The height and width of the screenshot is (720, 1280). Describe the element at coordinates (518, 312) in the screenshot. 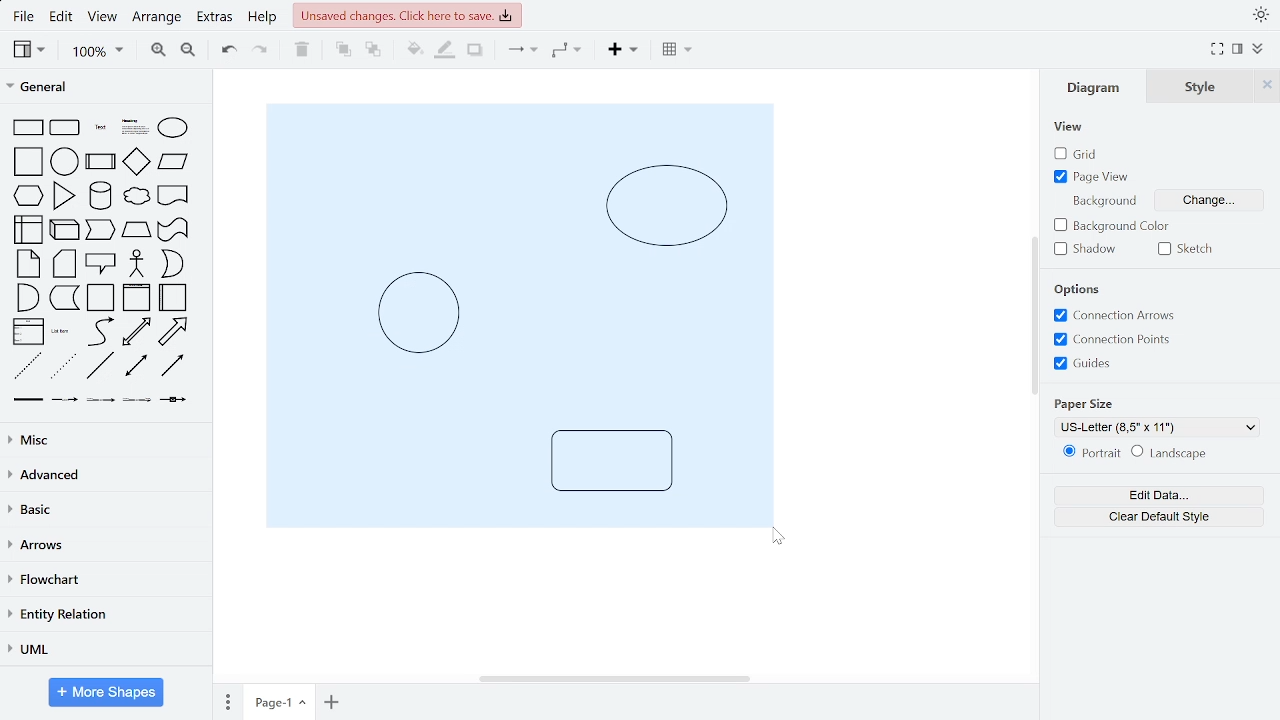

I see `Current Diagrams` at that location.